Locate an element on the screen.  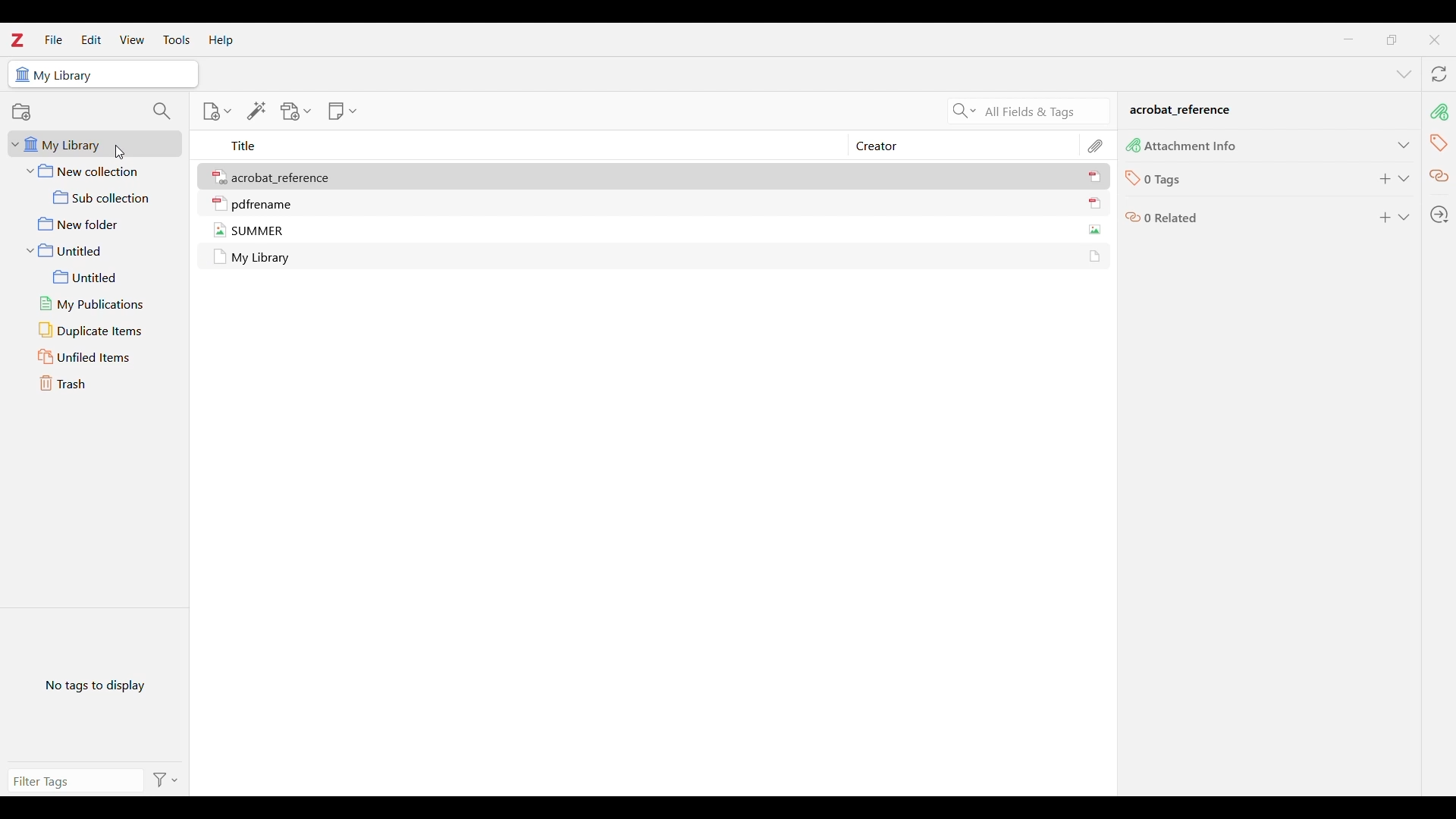
icon is located at coordinates (1095, 177).